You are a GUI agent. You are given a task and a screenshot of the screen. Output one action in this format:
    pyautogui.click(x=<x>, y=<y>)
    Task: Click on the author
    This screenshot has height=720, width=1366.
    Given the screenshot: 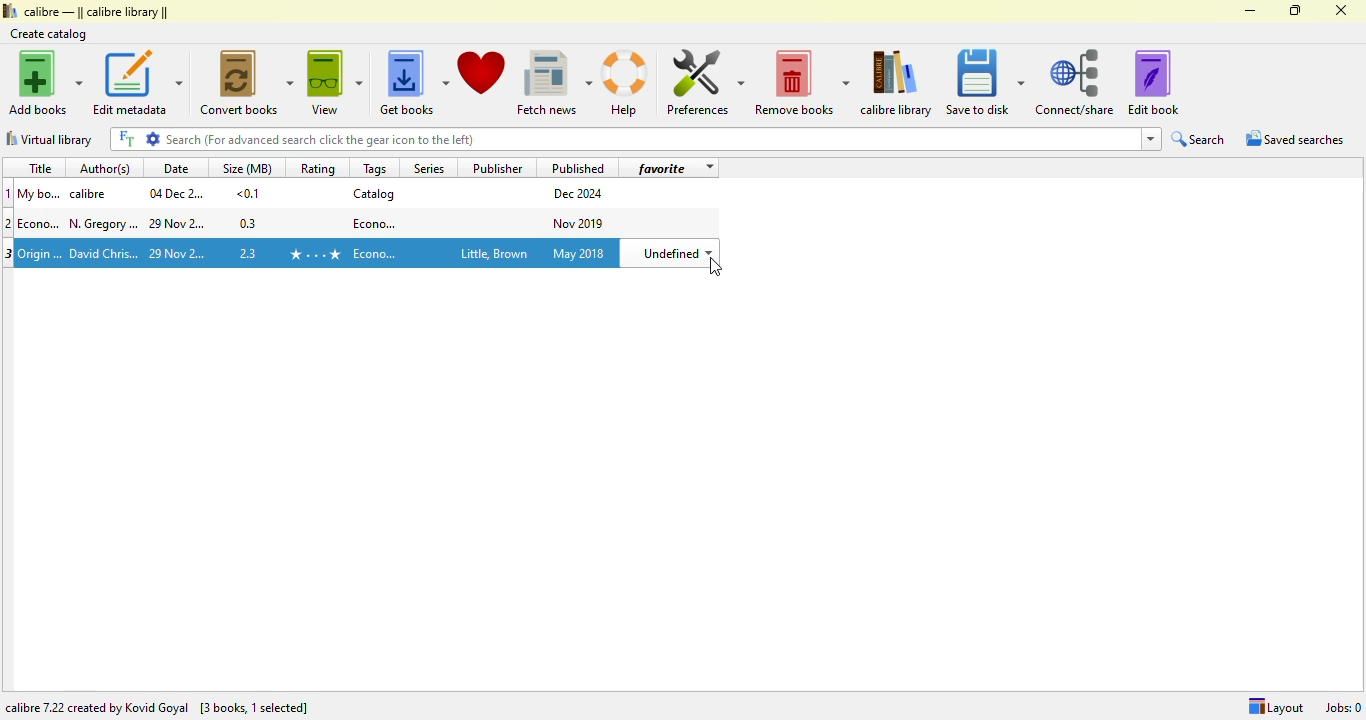 What is the action you would take?
    pyautogui.click(x=104, y=224)
    